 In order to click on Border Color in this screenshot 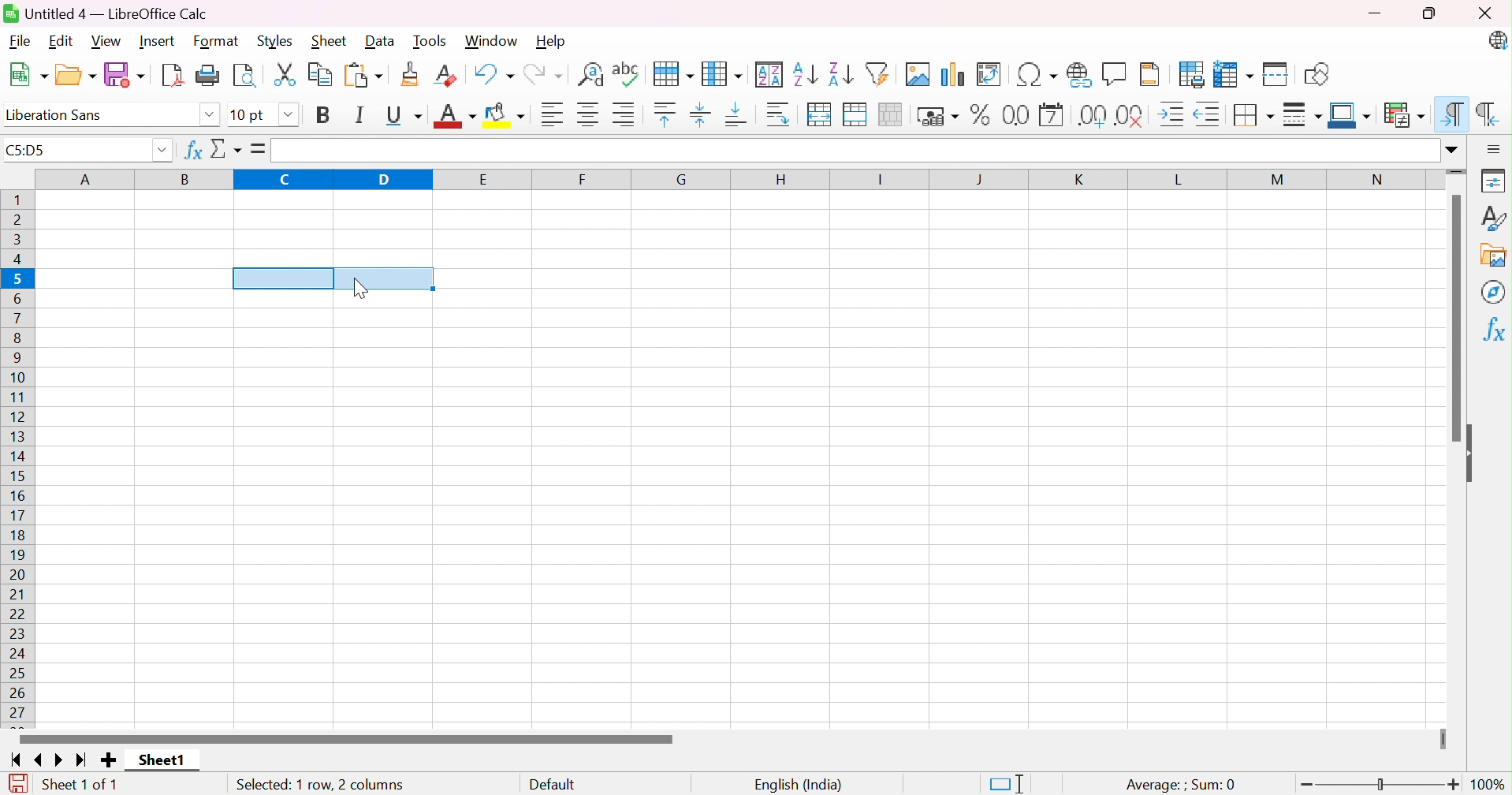, I will do `click(1349, 114)`.